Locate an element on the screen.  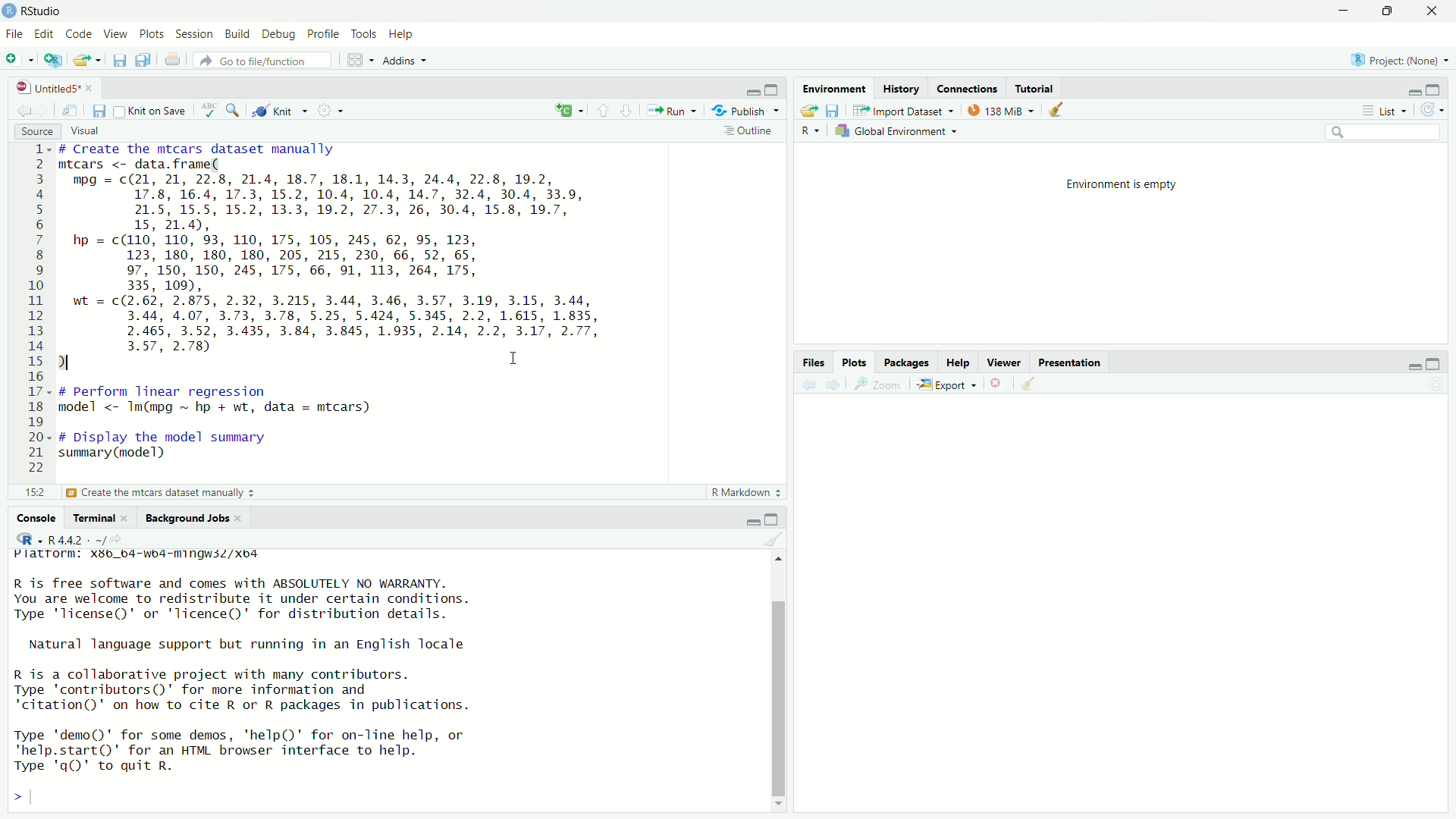
Publish is located at coordinates (739, 110).